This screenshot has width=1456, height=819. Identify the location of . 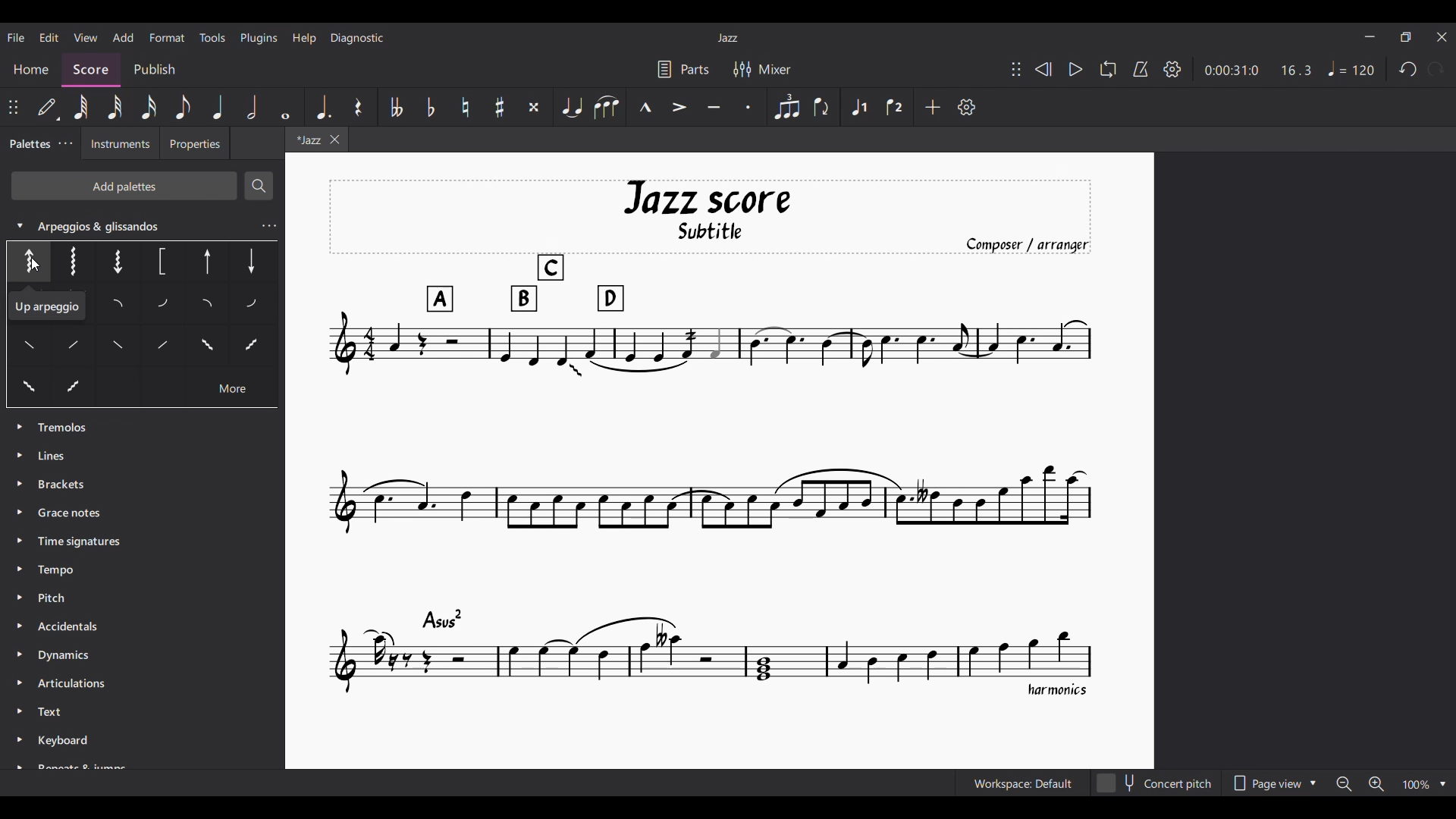
(254, 347).